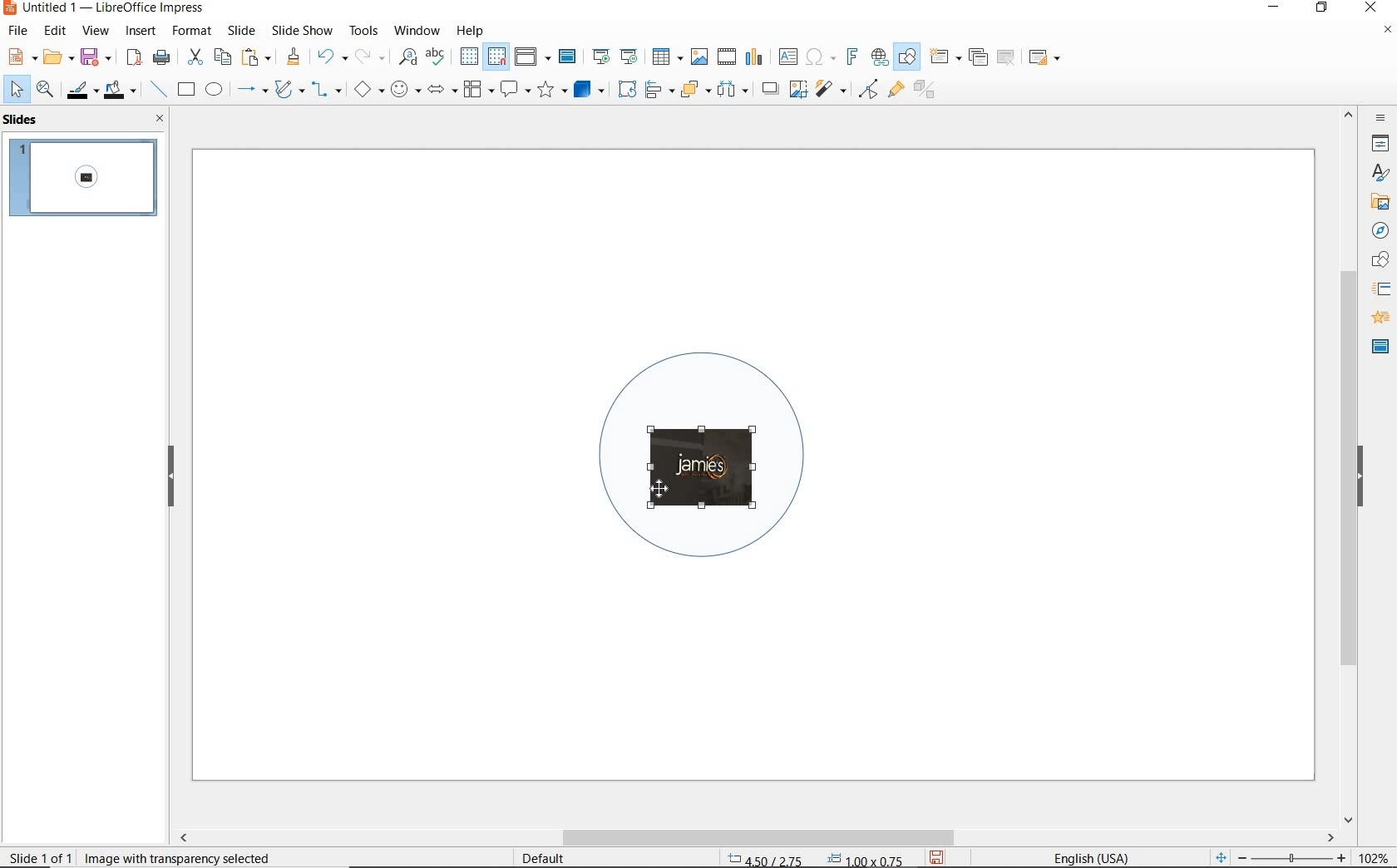  Describe the element at coordinates (1377, 201) in the screenshot. I see `gallery` at that location.